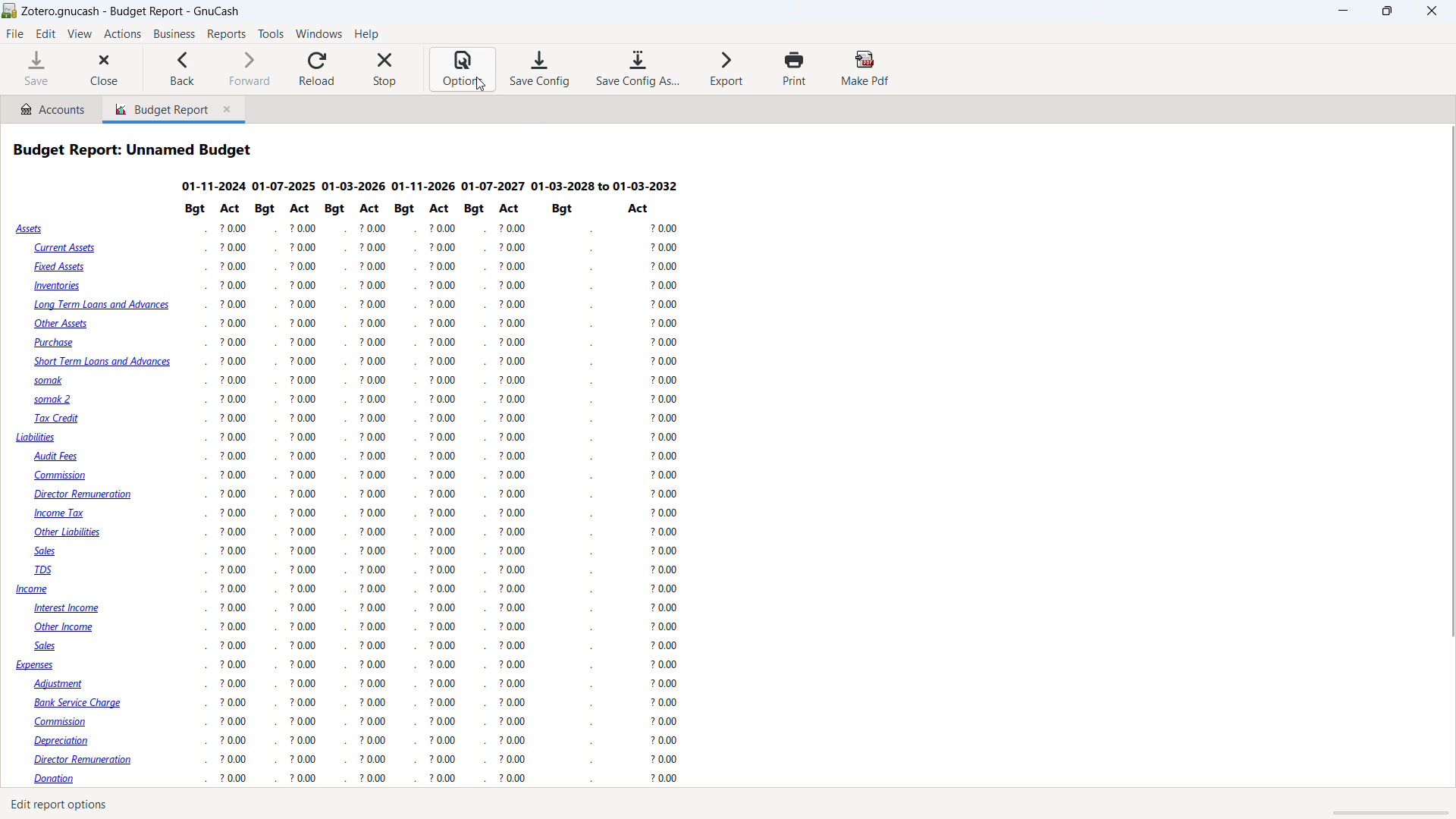  Describe the element at coordinates (183, 69) in the screenshot. I see `bavk` at that location.